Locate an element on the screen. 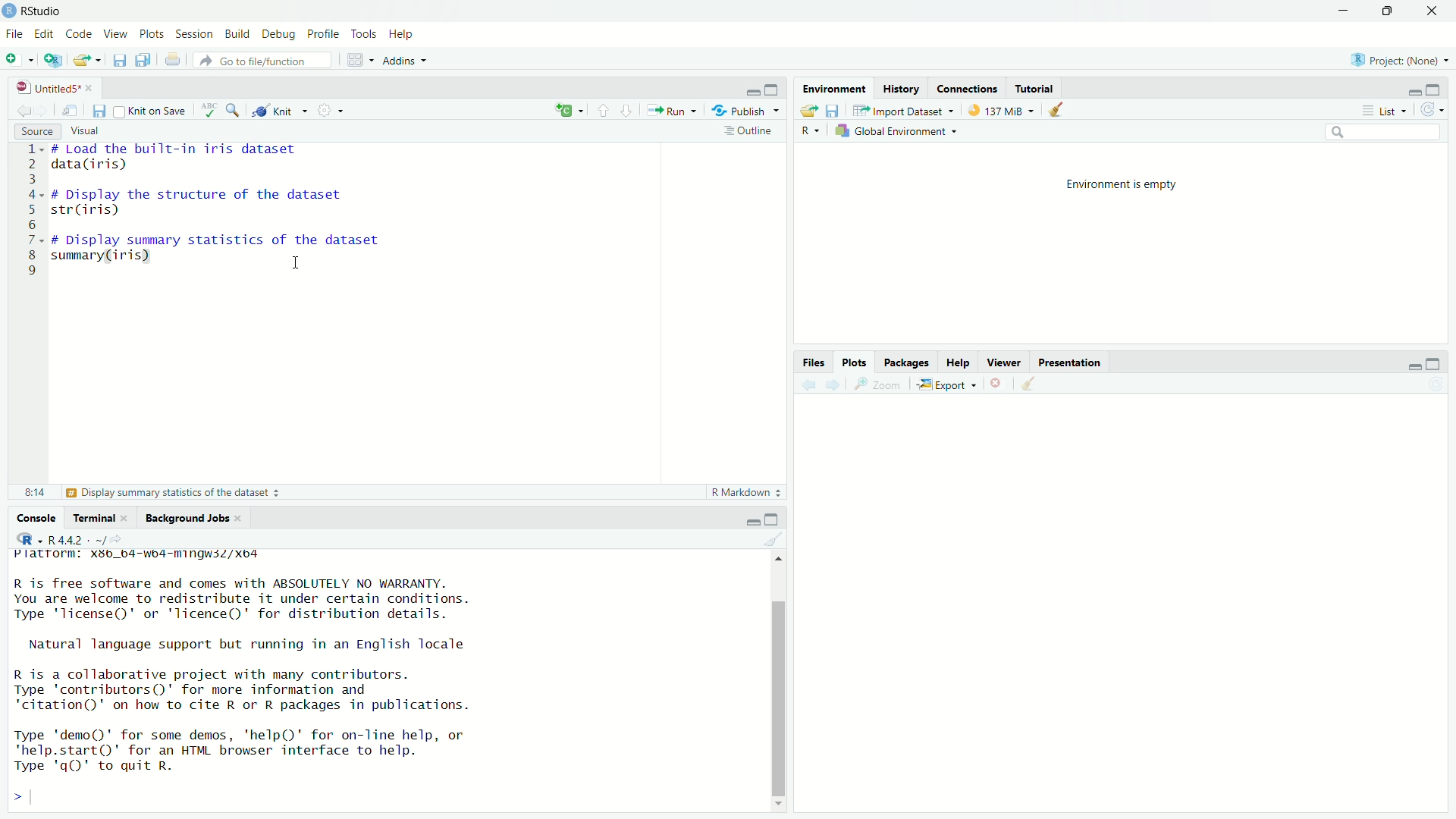  Clear is located at coordinates (776, 537).